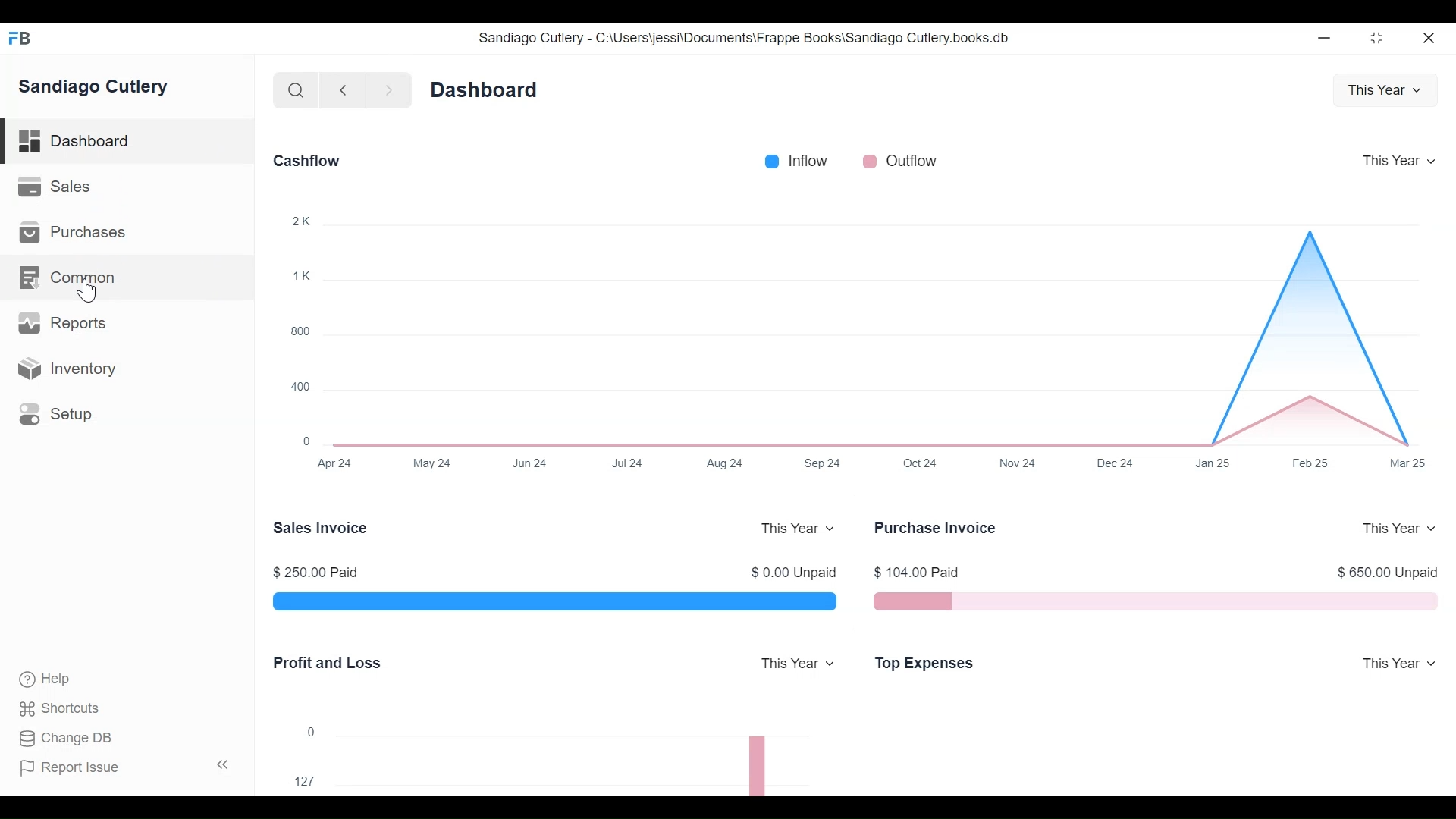 This screenshot has height=819, width=1456. I want to click on next, so click(384, 89).